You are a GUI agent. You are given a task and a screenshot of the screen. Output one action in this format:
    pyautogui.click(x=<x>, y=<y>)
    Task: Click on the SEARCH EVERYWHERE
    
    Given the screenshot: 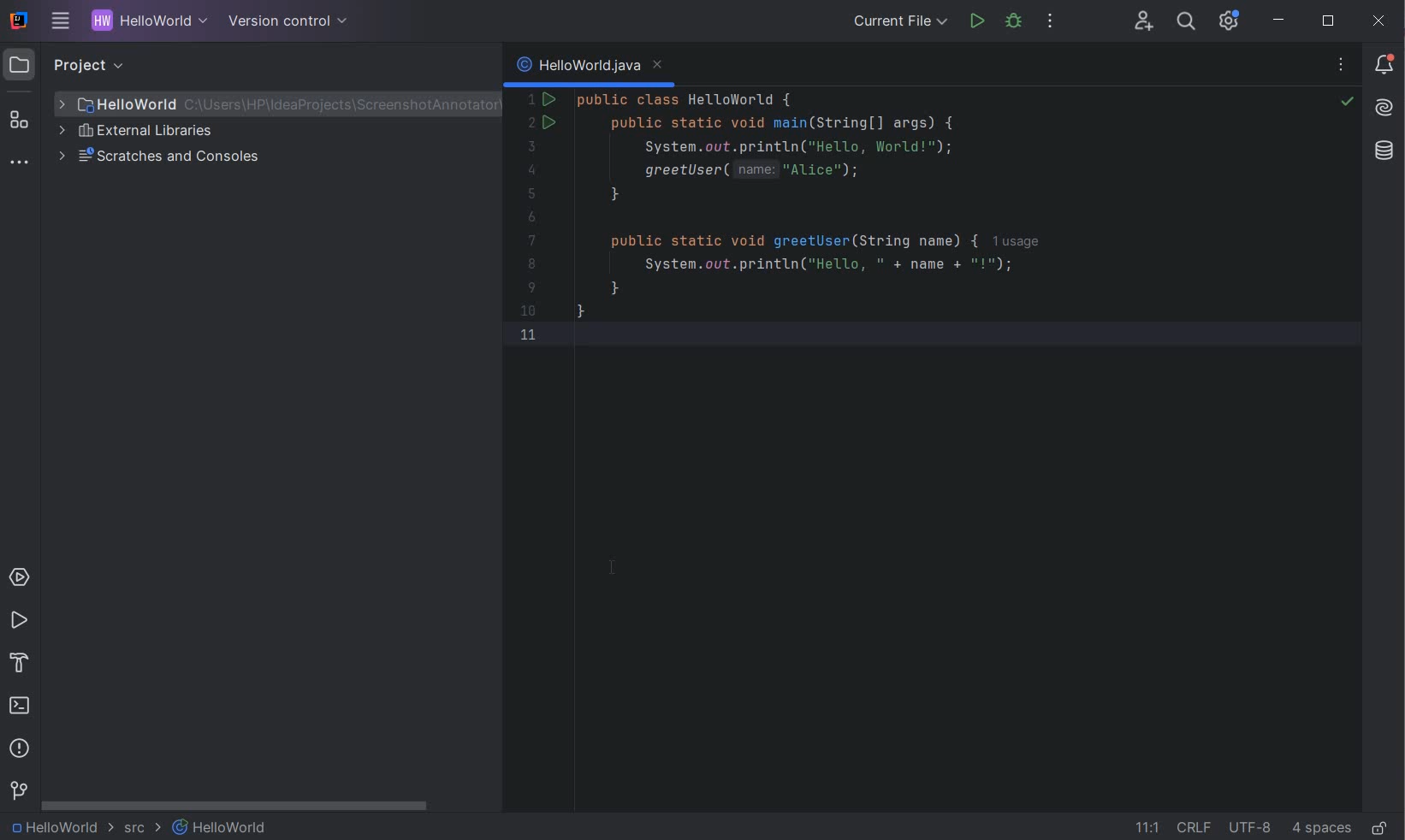 What is the action you would take?
    pyautogui.click(x=1185, y=23)
    